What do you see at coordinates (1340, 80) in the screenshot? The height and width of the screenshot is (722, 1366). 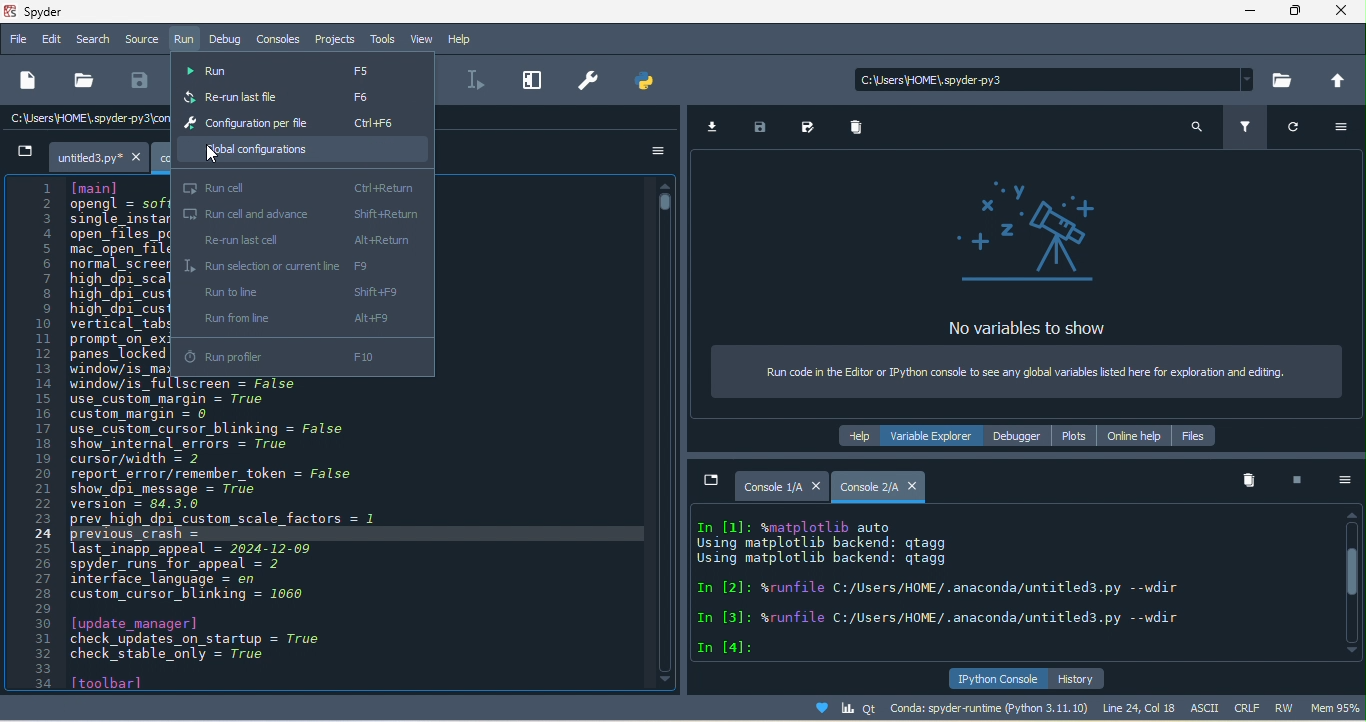 I see `change to parent directory` at bounding box center [1340, 80].